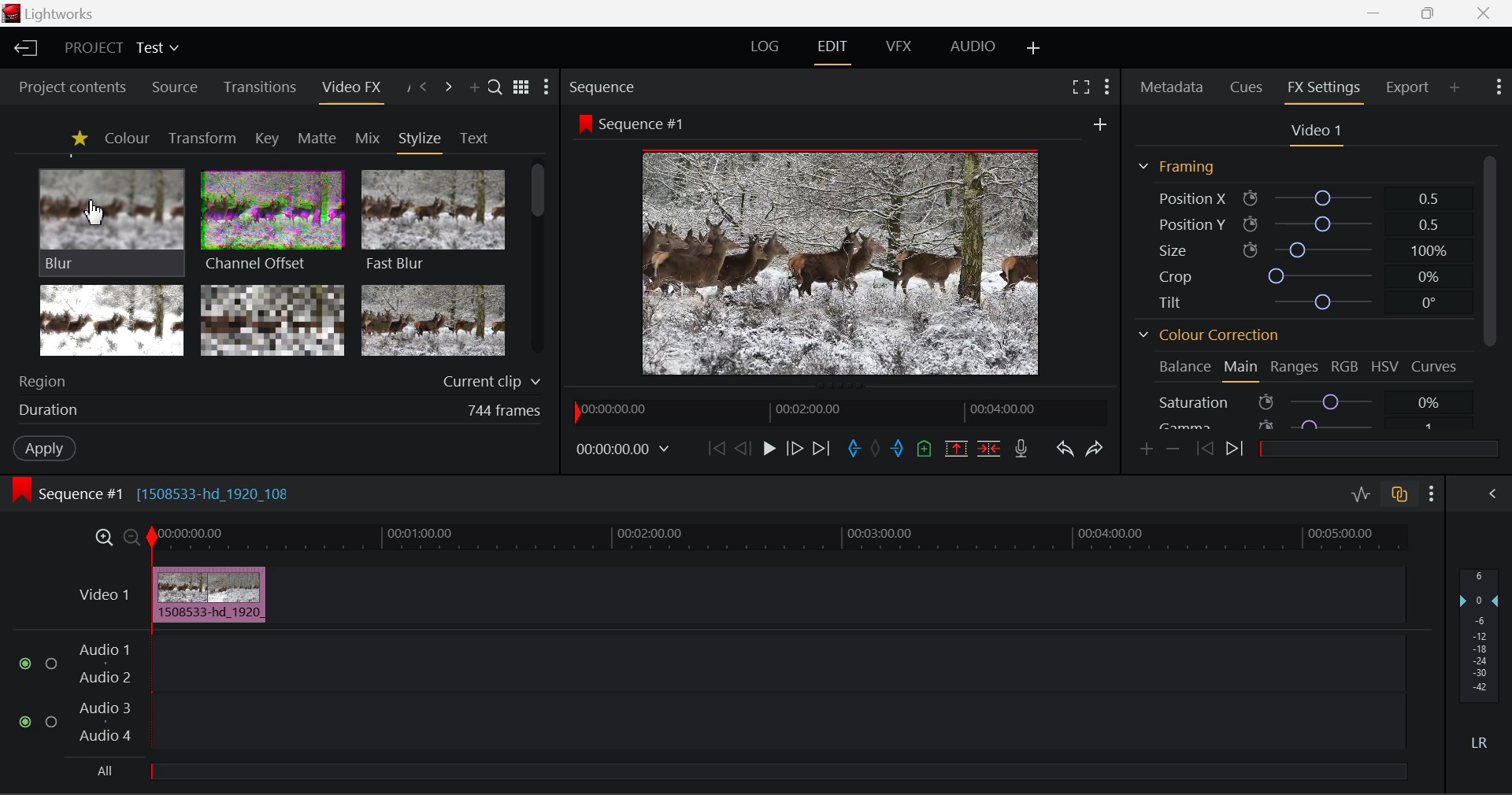 This screenshot has height=795, width=1512. I want to click on Balance, so click(1184, 369).